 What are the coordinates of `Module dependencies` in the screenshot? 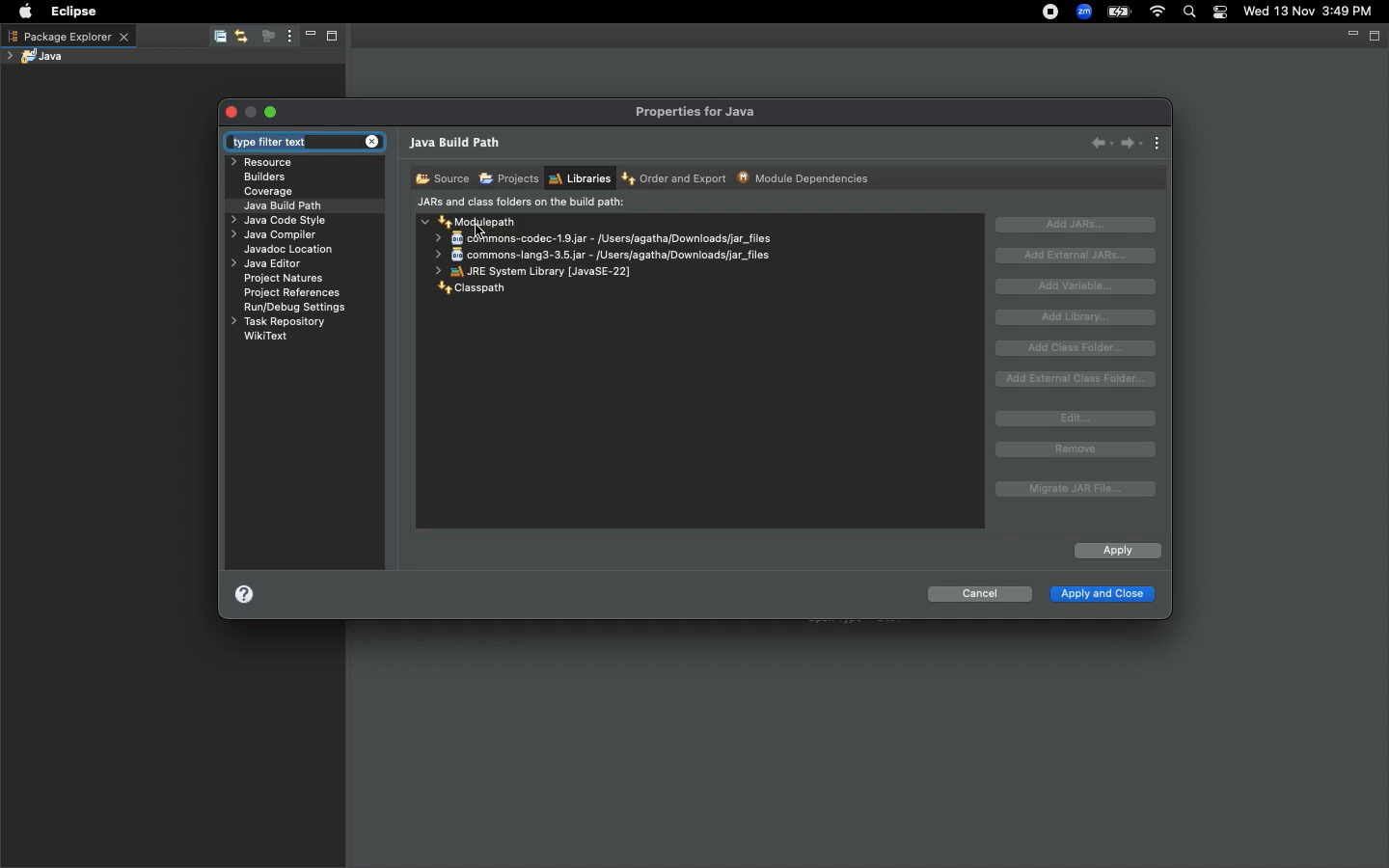 It's located at (804, 177).